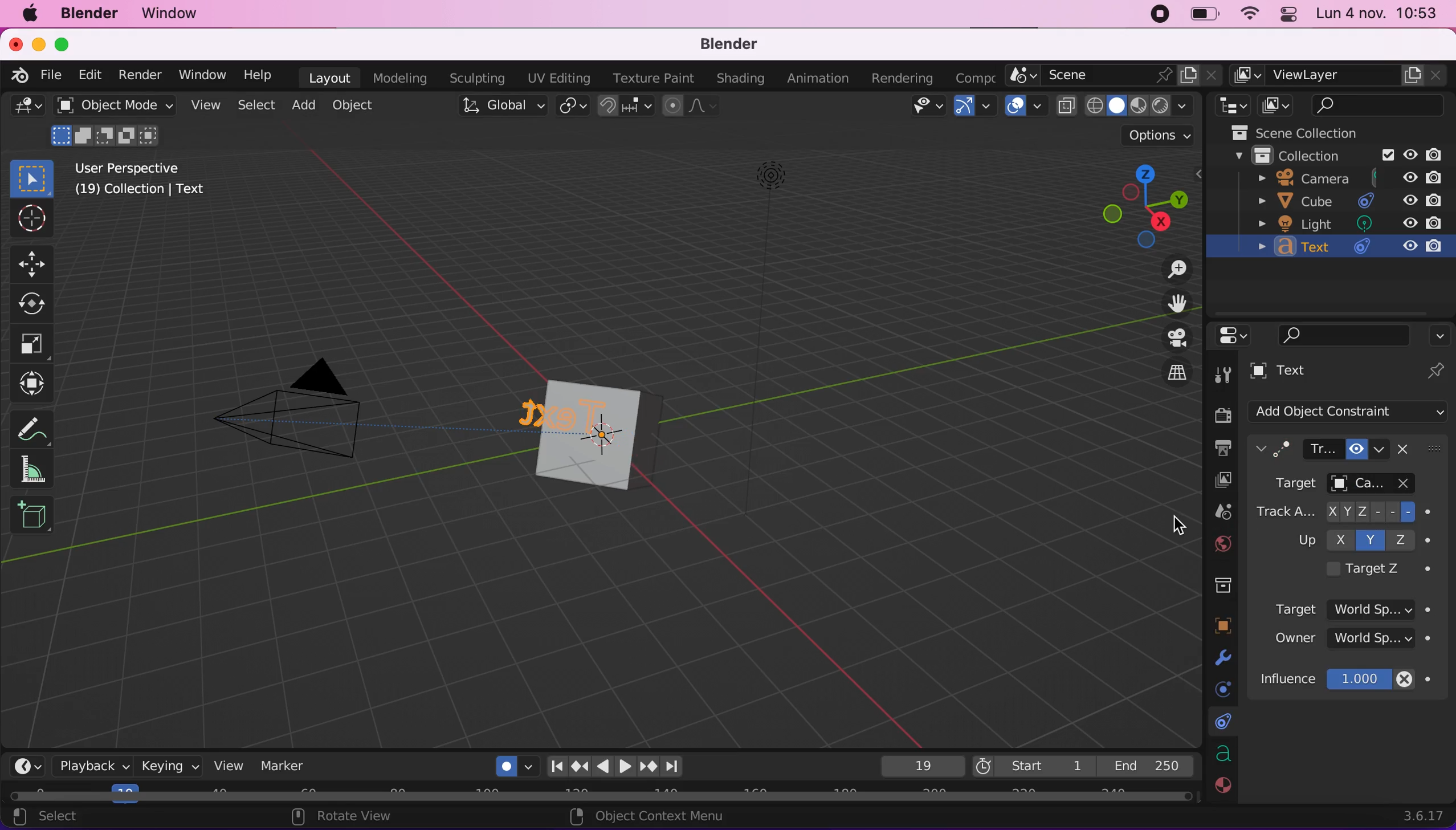 This screenshot has width=1456, height=830. What do you see at coordinates (1223, 788) in the screenshot?
I see `material` at bounding box center [1223, 788].